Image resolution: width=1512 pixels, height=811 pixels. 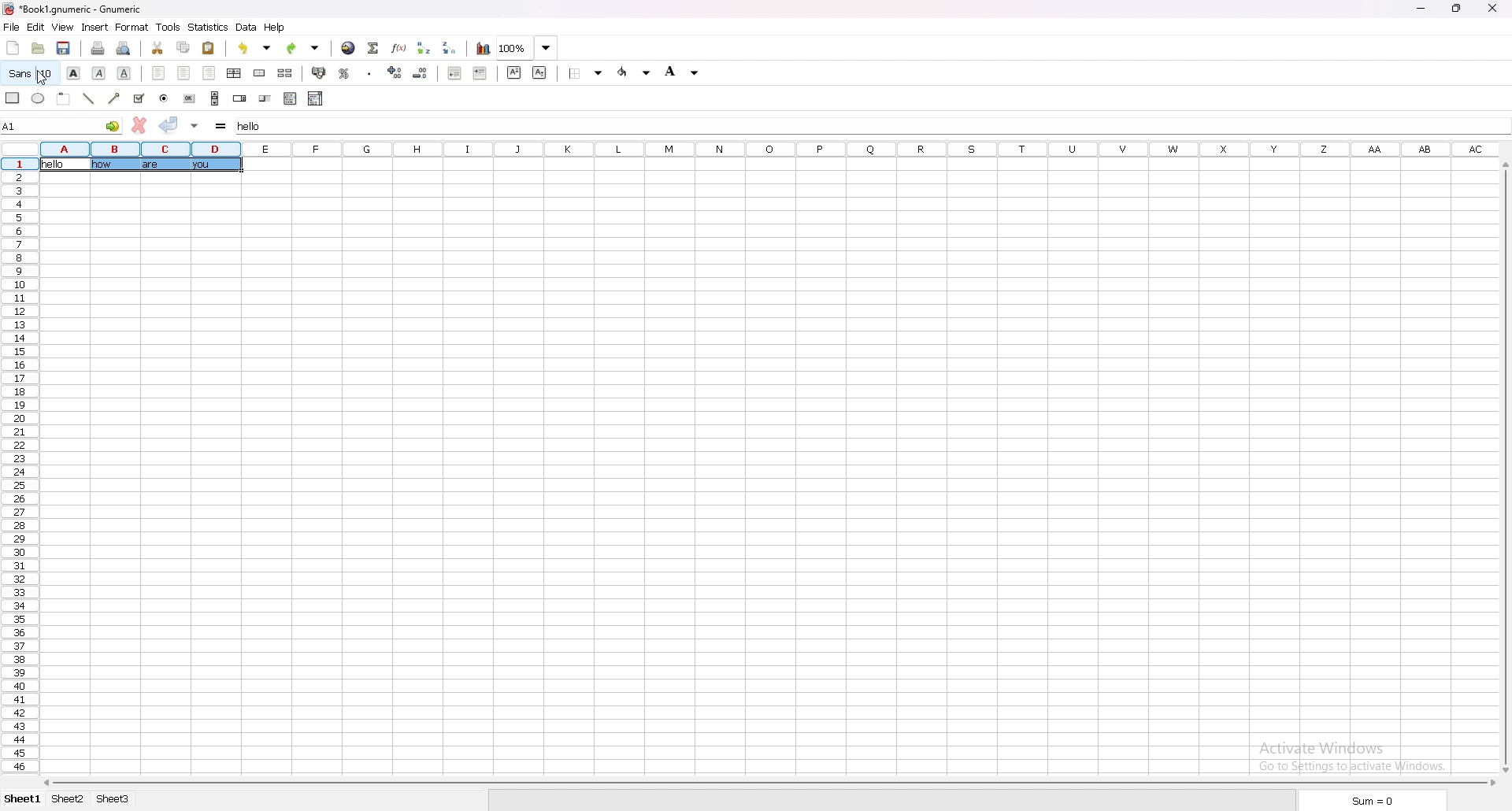 What do you see at coordinates (235, 72) in the screenshot?
I see `centre horizontally` at bounding box center [235, 72].